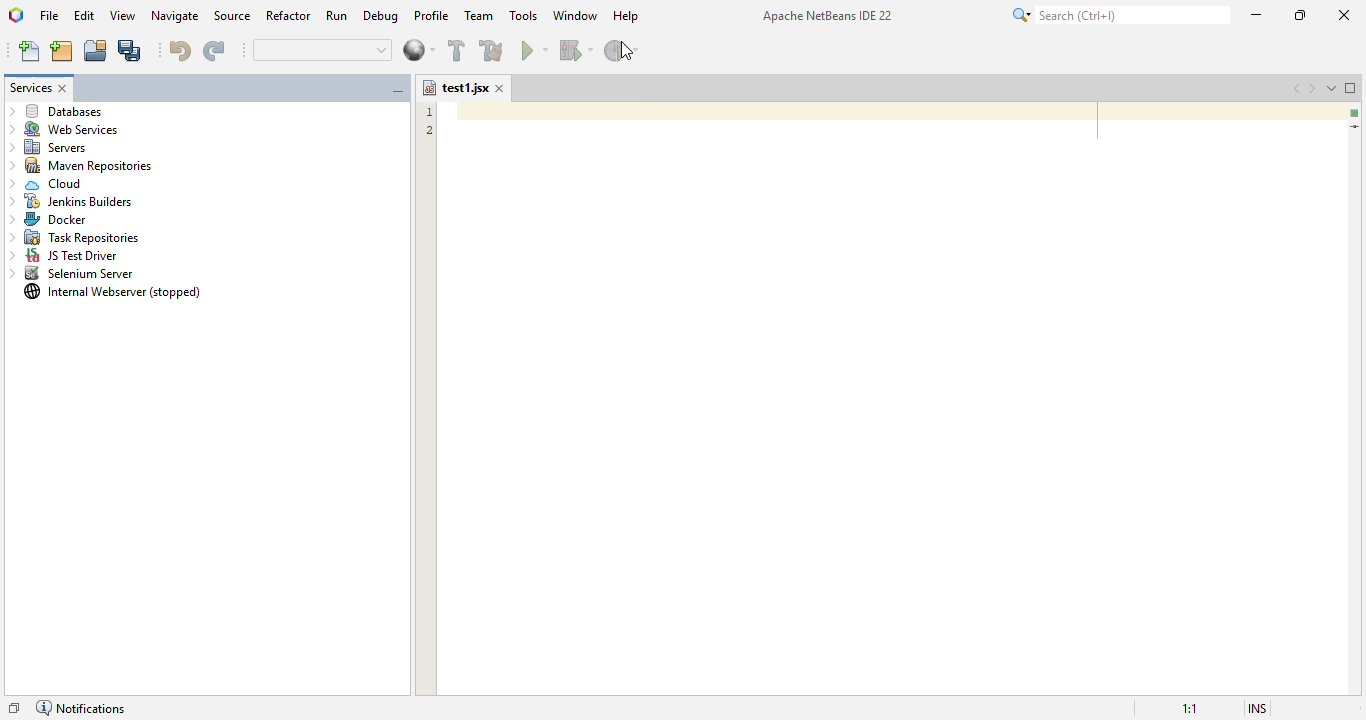 Image resolution: width=1366 pixels, height=720 pixels. Describe the element at coordinates (31, 88) in the screenshot. I see `services` at that location.